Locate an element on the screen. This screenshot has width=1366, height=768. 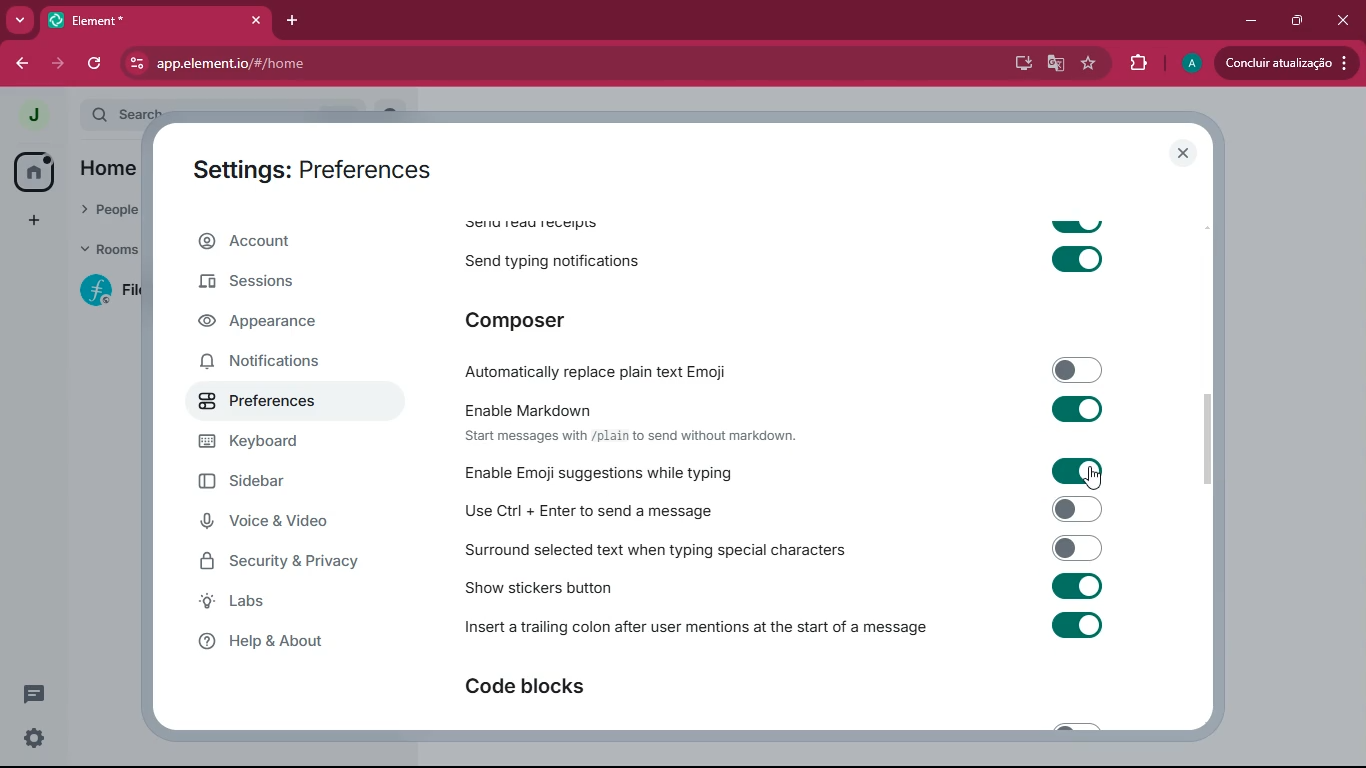
enable markdown is located at coordinates (805, 420).